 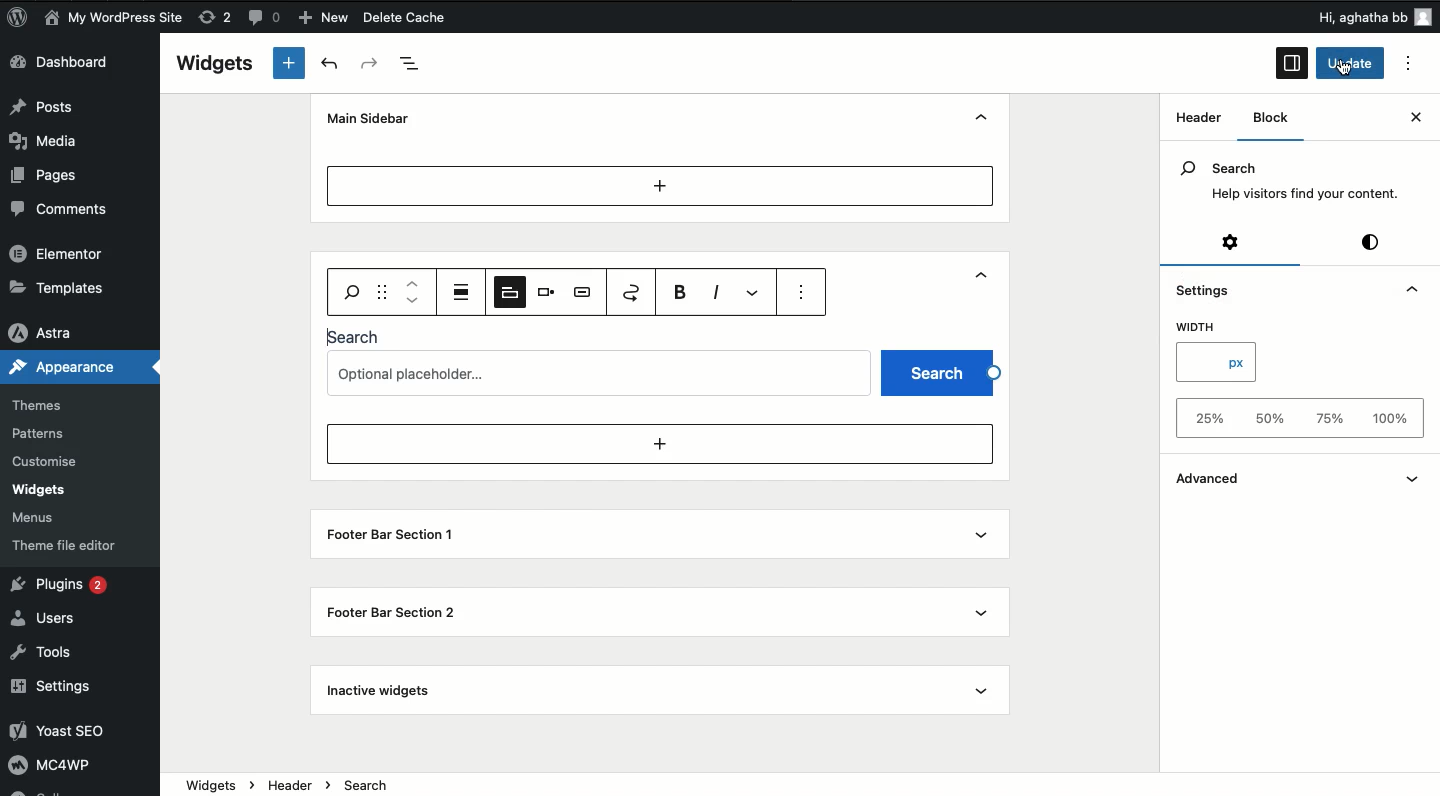 What do you see at coordinates (1228, 244) in the screenshot?
I see `Settings` at bounding box center [1228, 244].